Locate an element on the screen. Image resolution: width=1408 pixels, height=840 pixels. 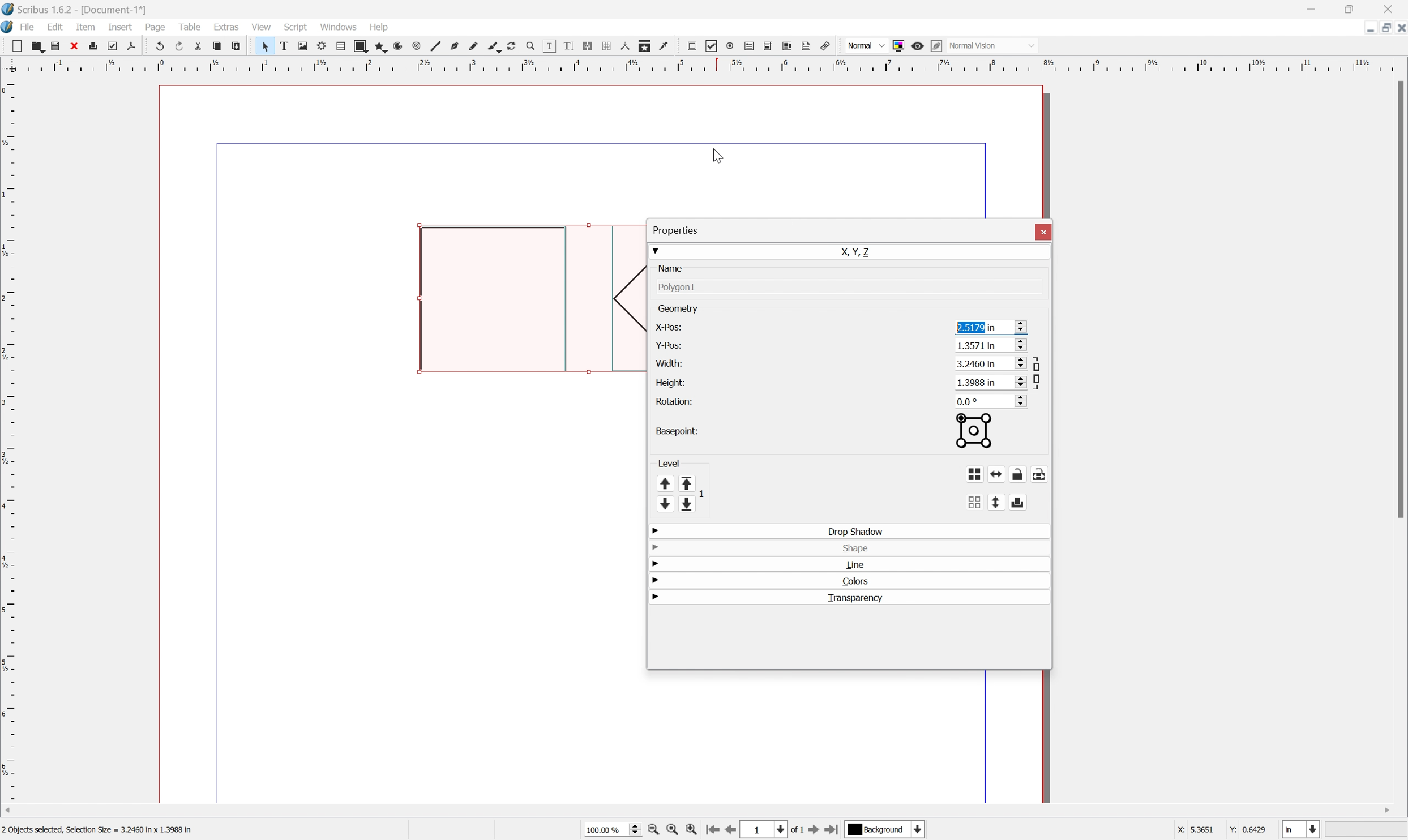
line is located at coordinates (434, 45).